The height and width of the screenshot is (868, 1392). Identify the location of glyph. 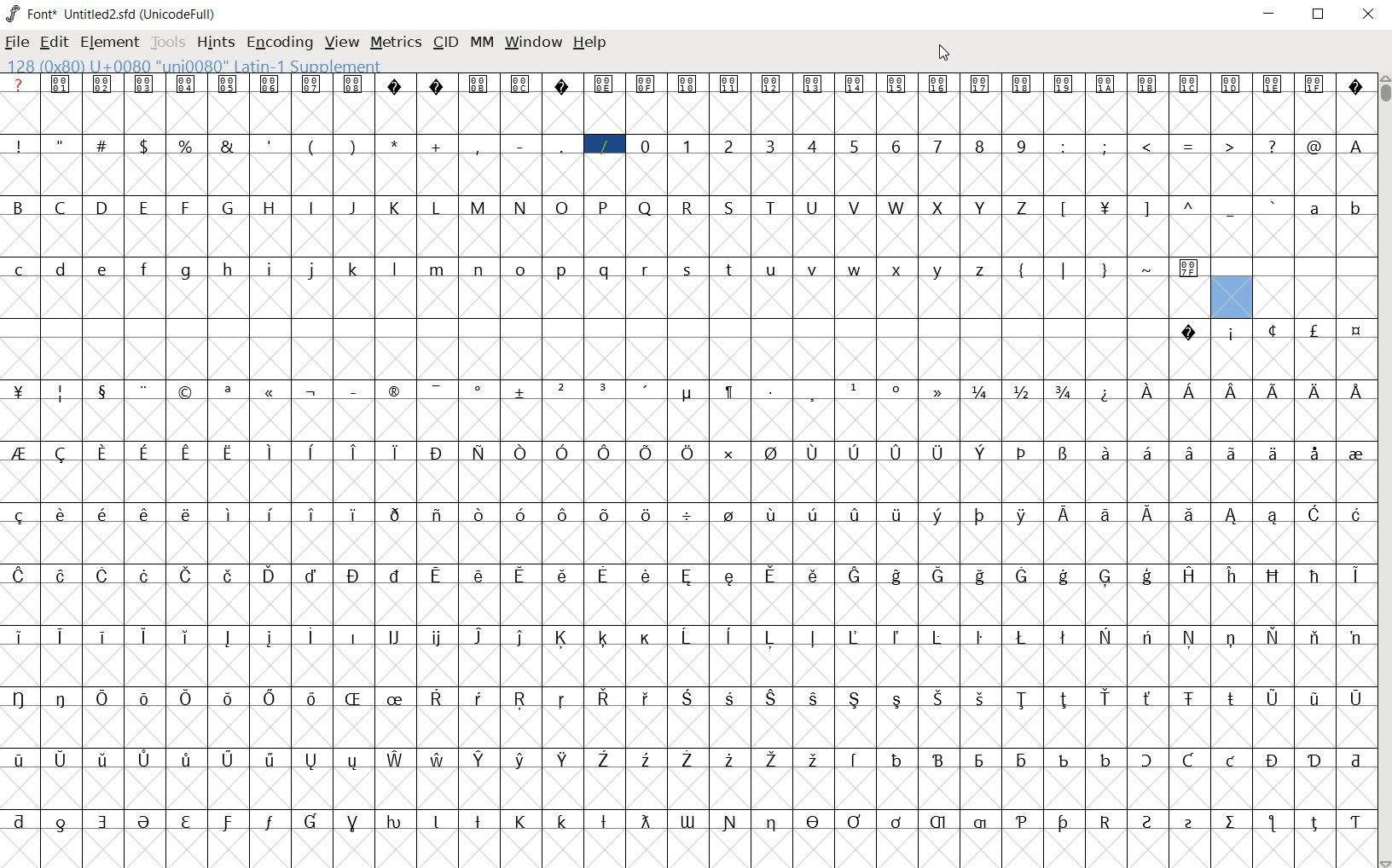
(310, 84).